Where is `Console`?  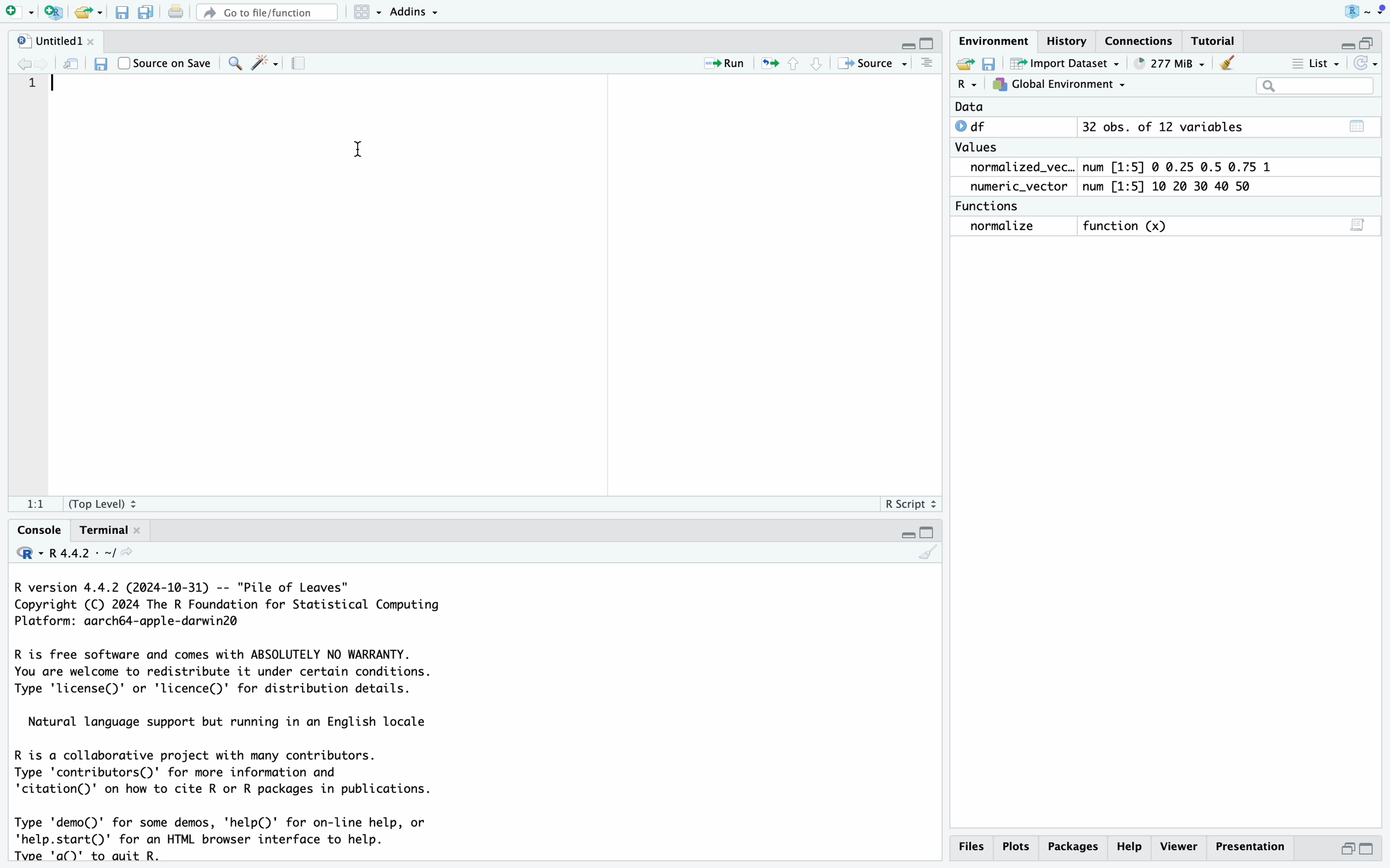
Console is located at coordinates (32, 529).